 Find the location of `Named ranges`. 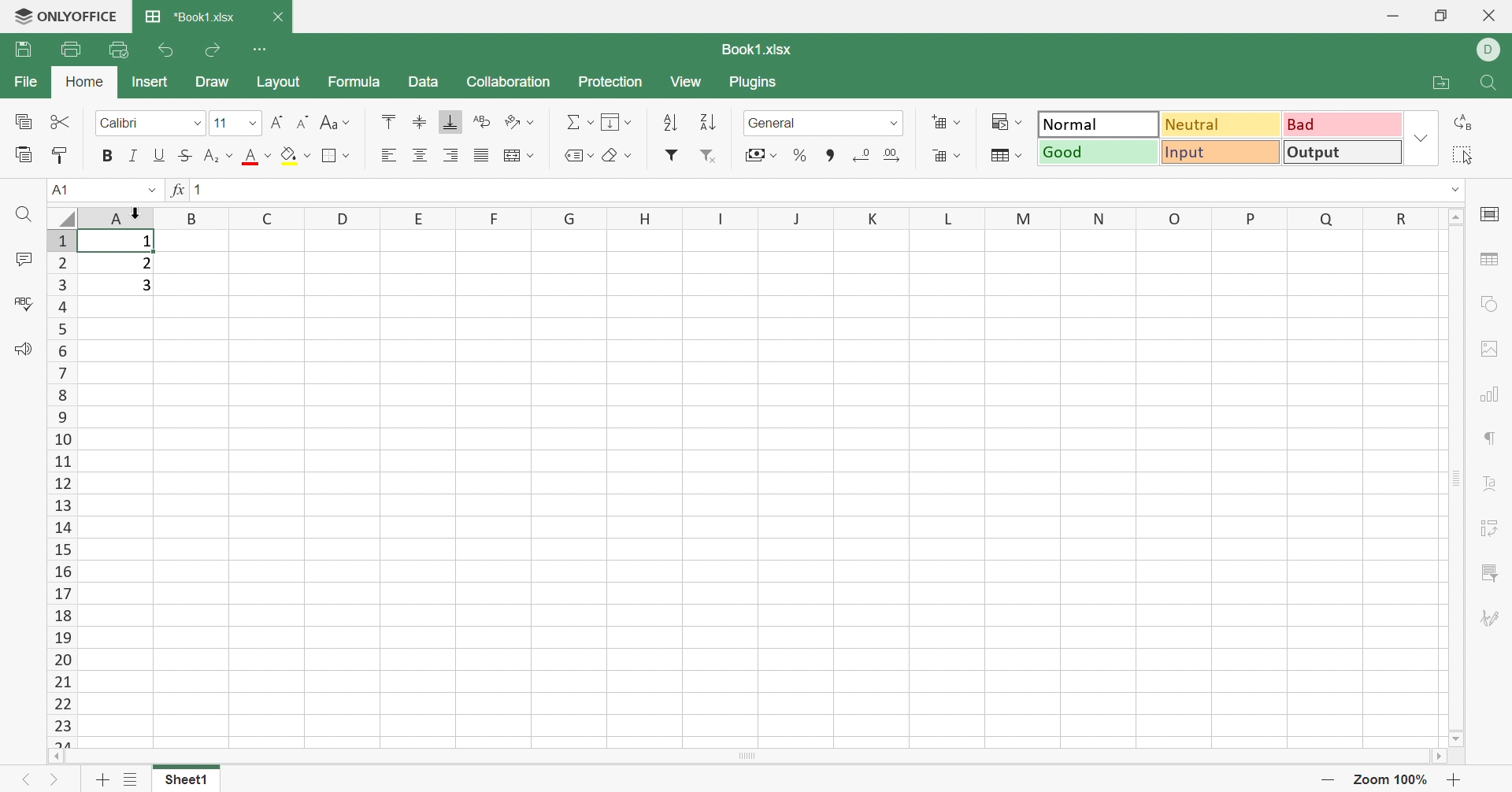

Named ranges is located at coordinates (577, 156).